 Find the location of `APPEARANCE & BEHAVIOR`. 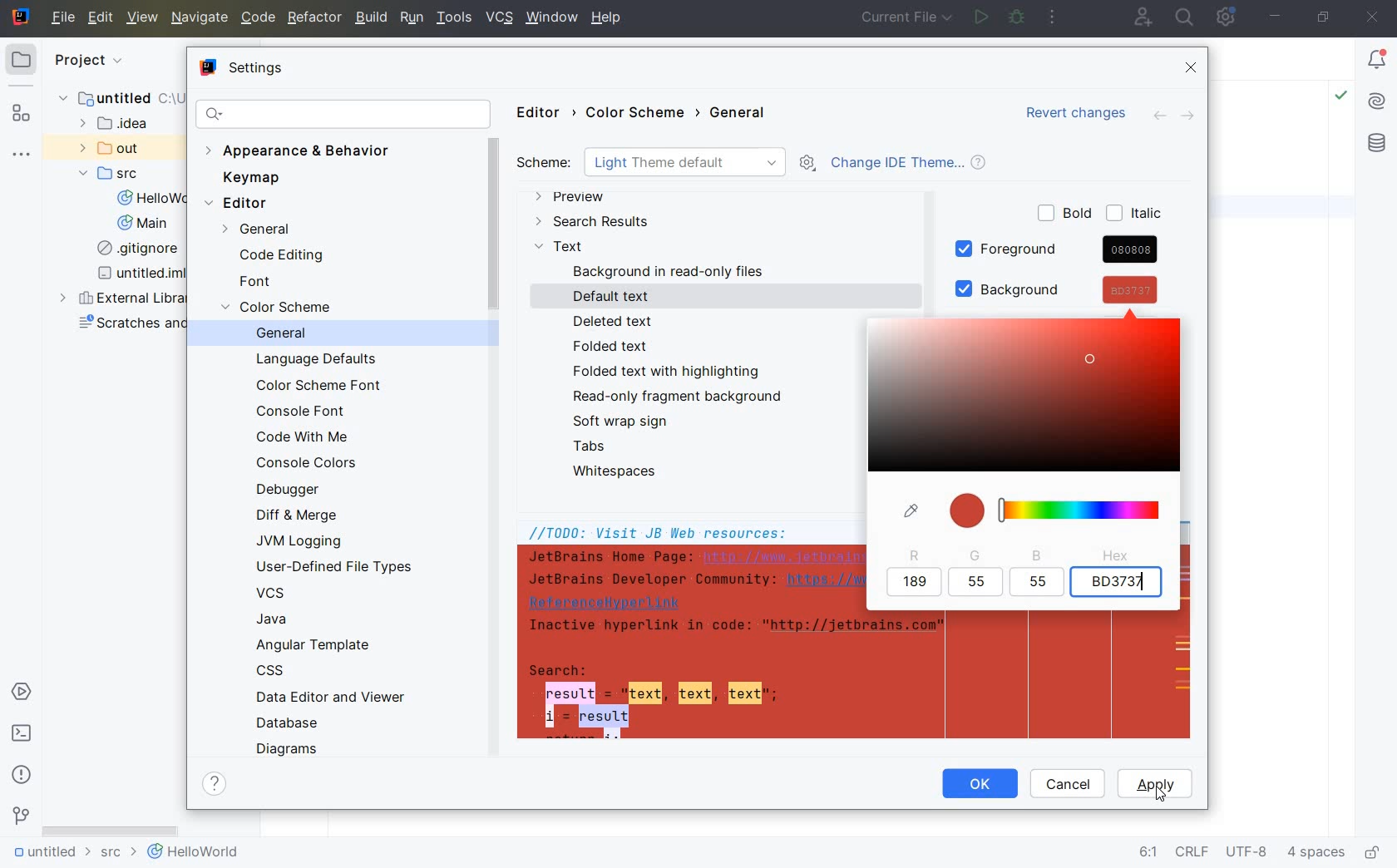

APPEARANCE & BEHAVIOR is located at coordinates (301, 152).